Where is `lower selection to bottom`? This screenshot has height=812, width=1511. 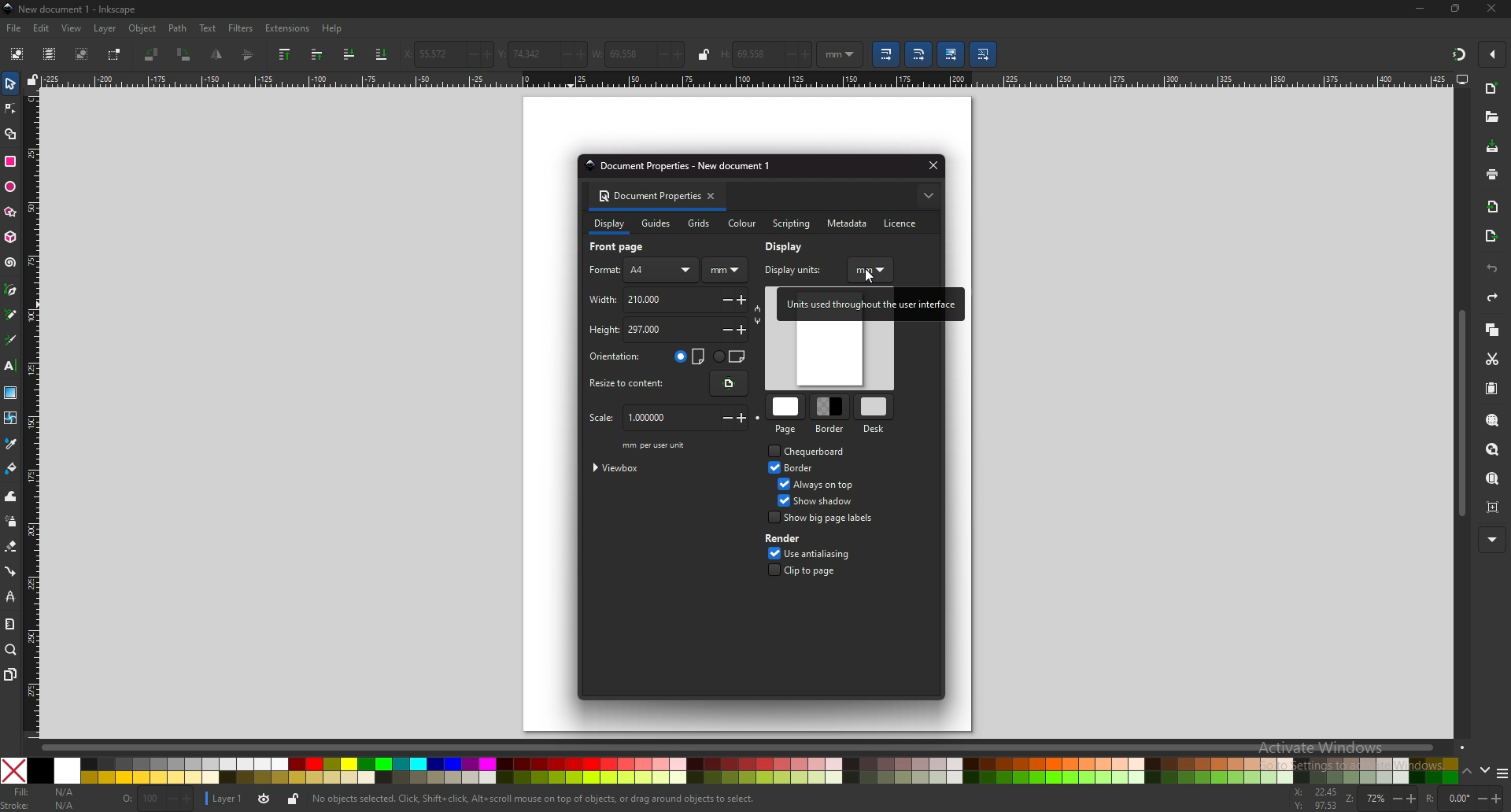 lower selection to bottom is located at coordinates (382, 54).